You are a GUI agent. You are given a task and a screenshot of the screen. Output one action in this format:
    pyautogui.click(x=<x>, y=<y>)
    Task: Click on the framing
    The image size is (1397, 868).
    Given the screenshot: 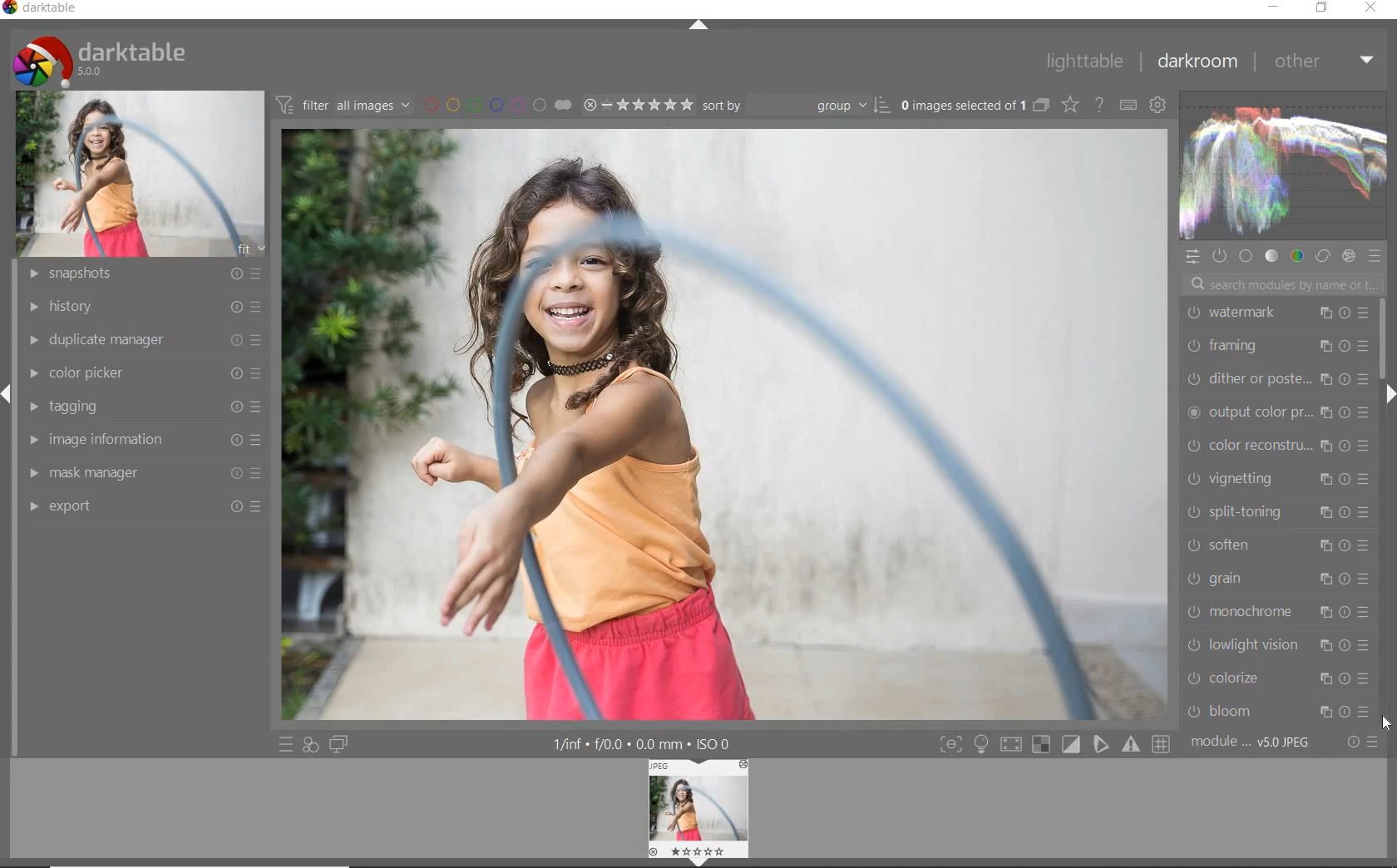 What is the action you would take?
    pyautogui.click(x=1277, y=343)
    